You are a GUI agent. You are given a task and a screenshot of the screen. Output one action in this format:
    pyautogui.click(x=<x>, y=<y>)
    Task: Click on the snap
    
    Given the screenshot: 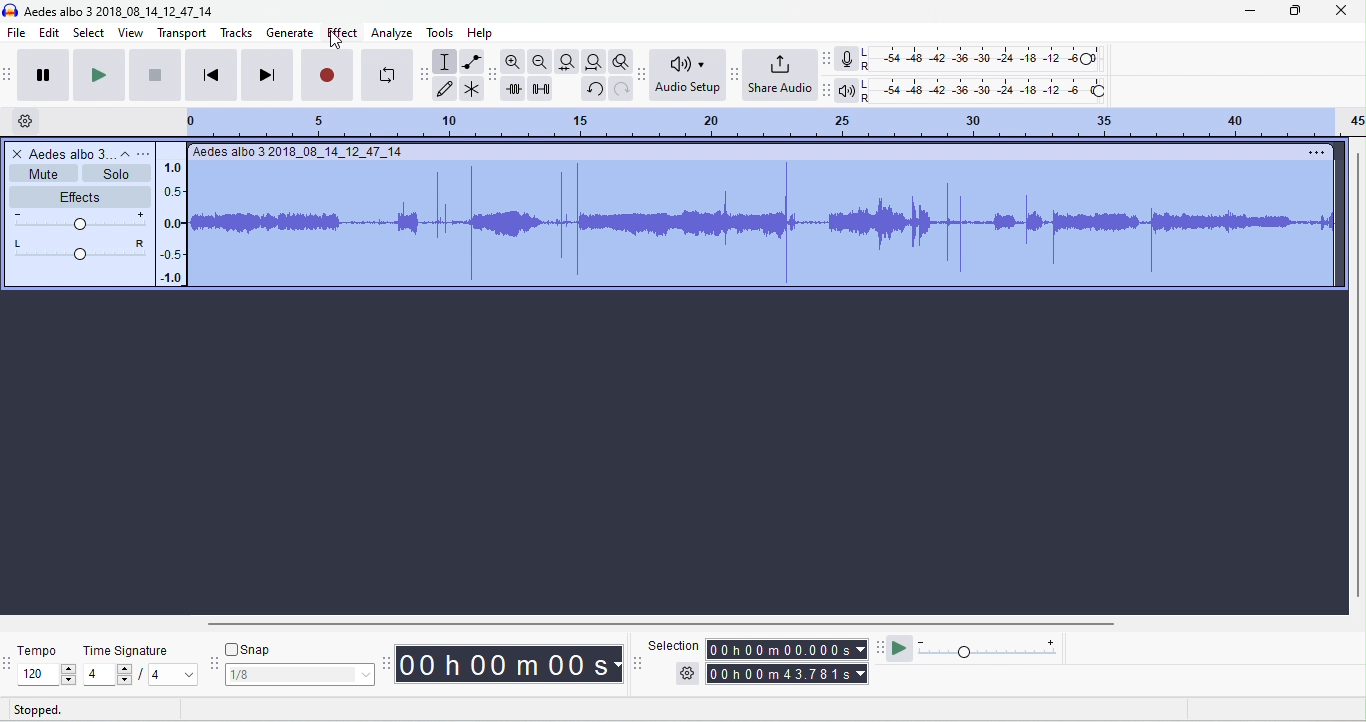 What is the action you would take?
    pyautogui.click(x=251, y=649)
    